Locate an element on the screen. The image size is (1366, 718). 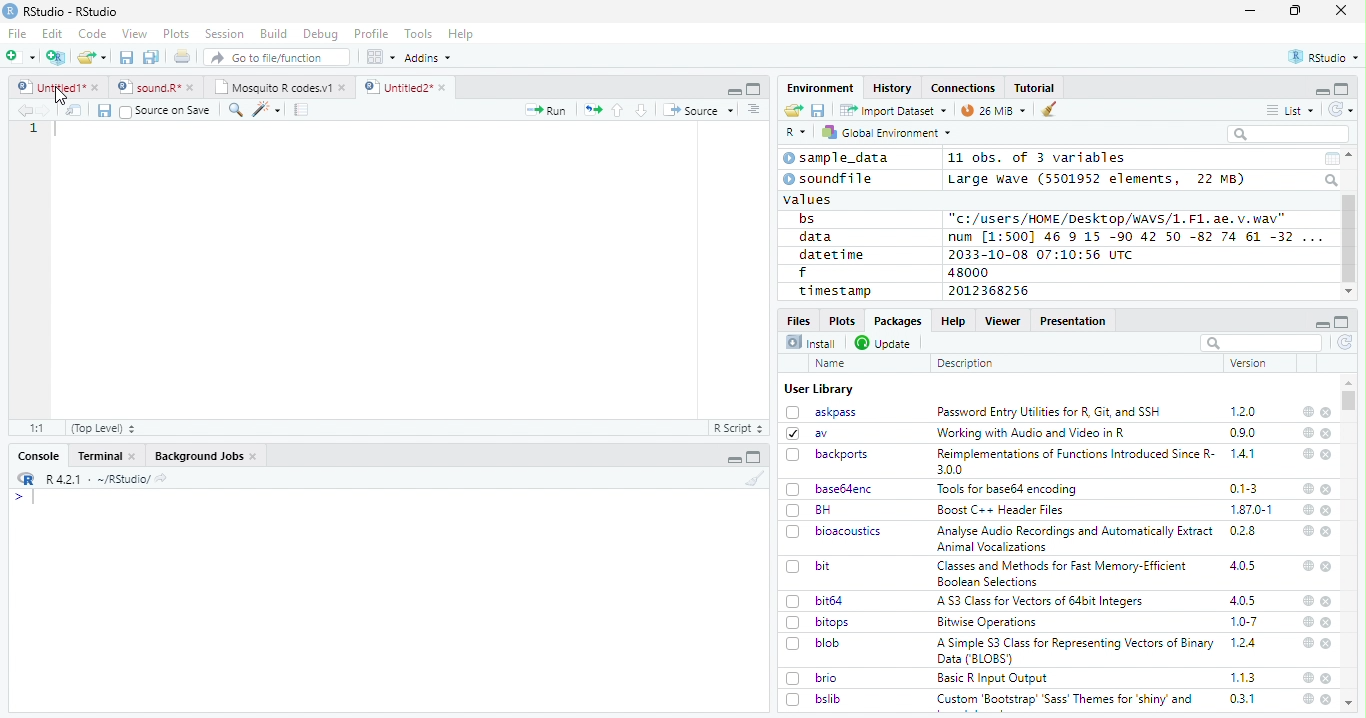
1.2.0 is located at coordinates (1245, 411).